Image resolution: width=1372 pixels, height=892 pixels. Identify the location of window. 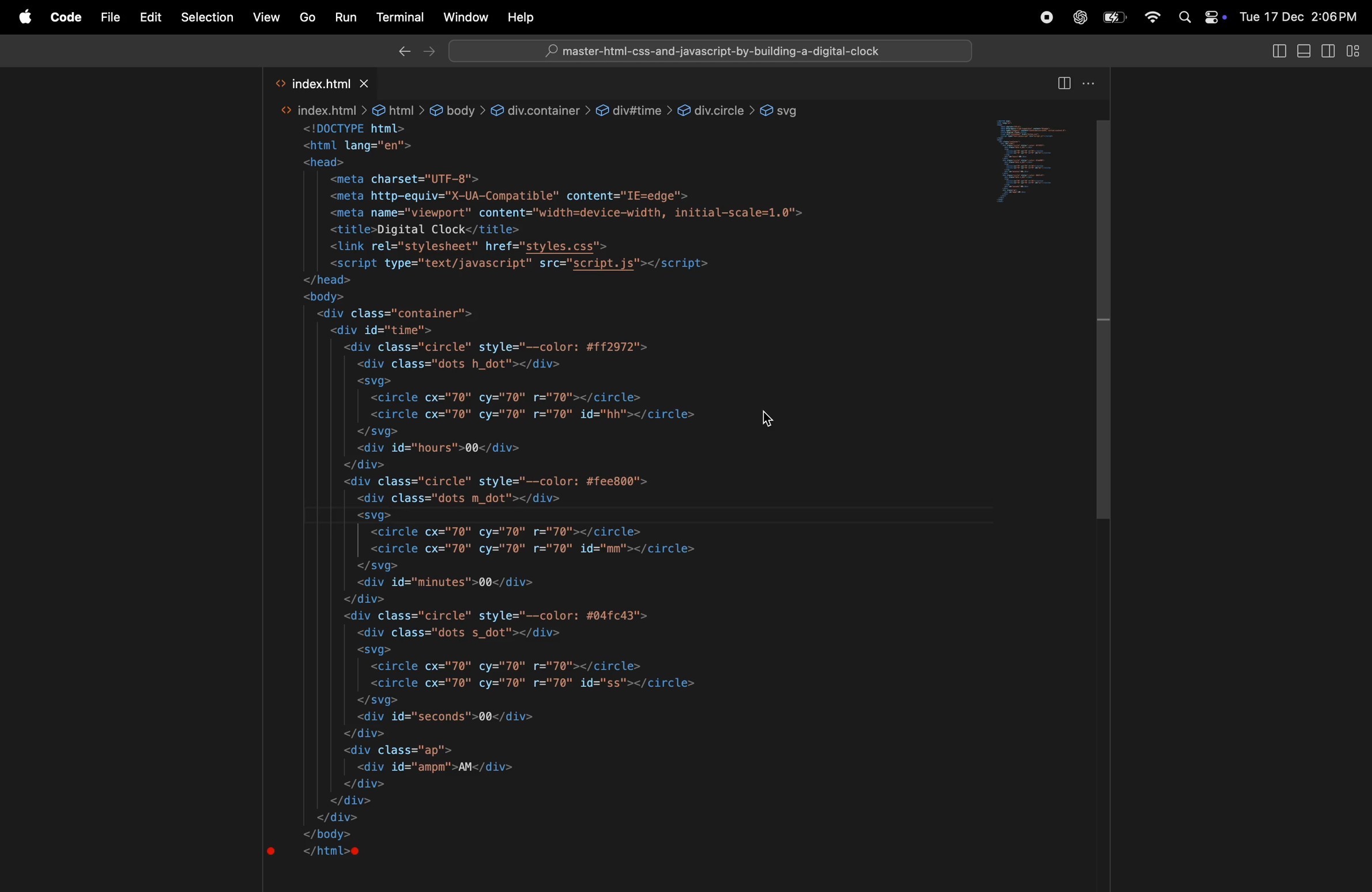
(466, 20).